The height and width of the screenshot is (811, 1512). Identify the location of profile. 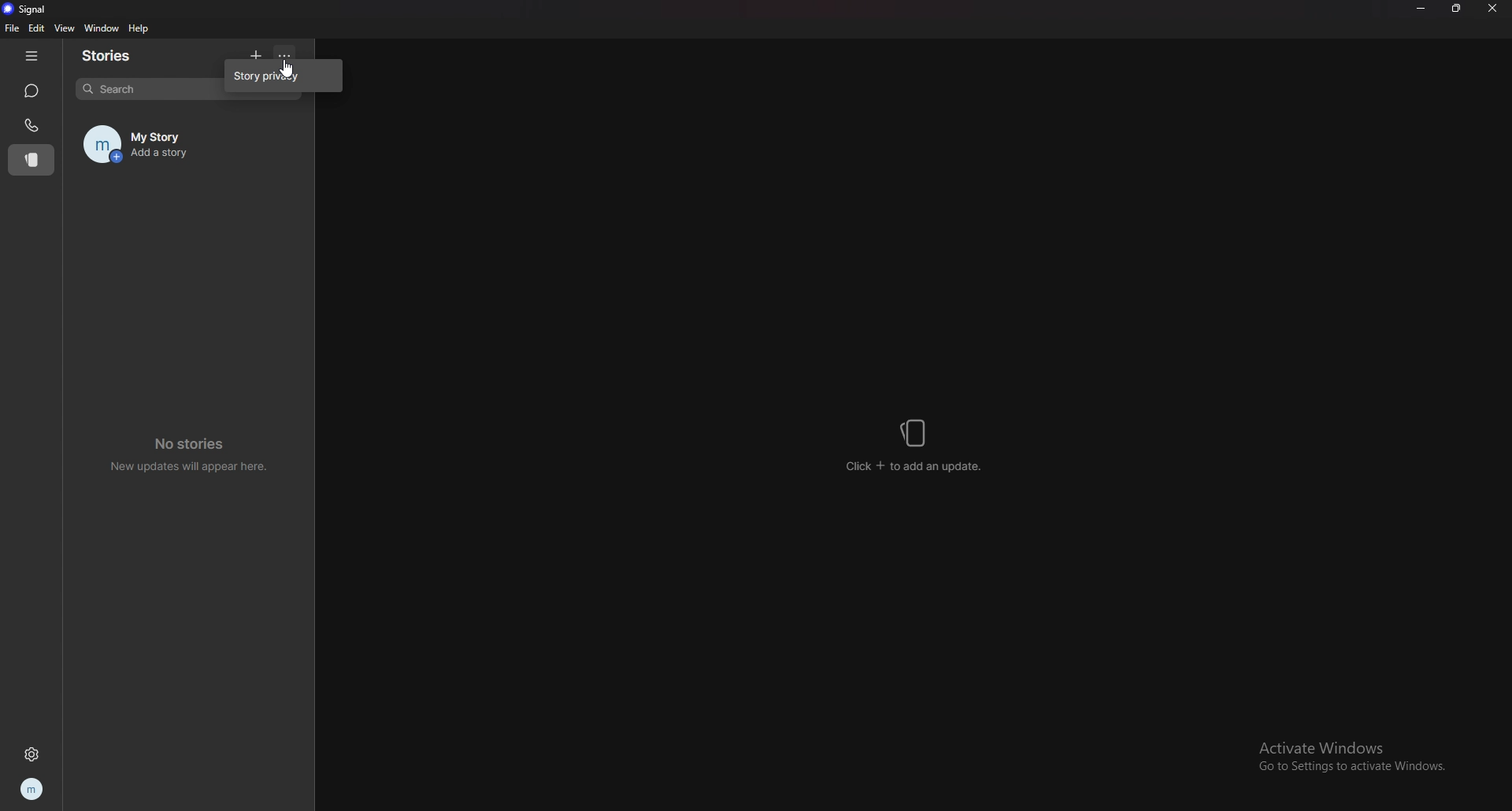
(33, 787).